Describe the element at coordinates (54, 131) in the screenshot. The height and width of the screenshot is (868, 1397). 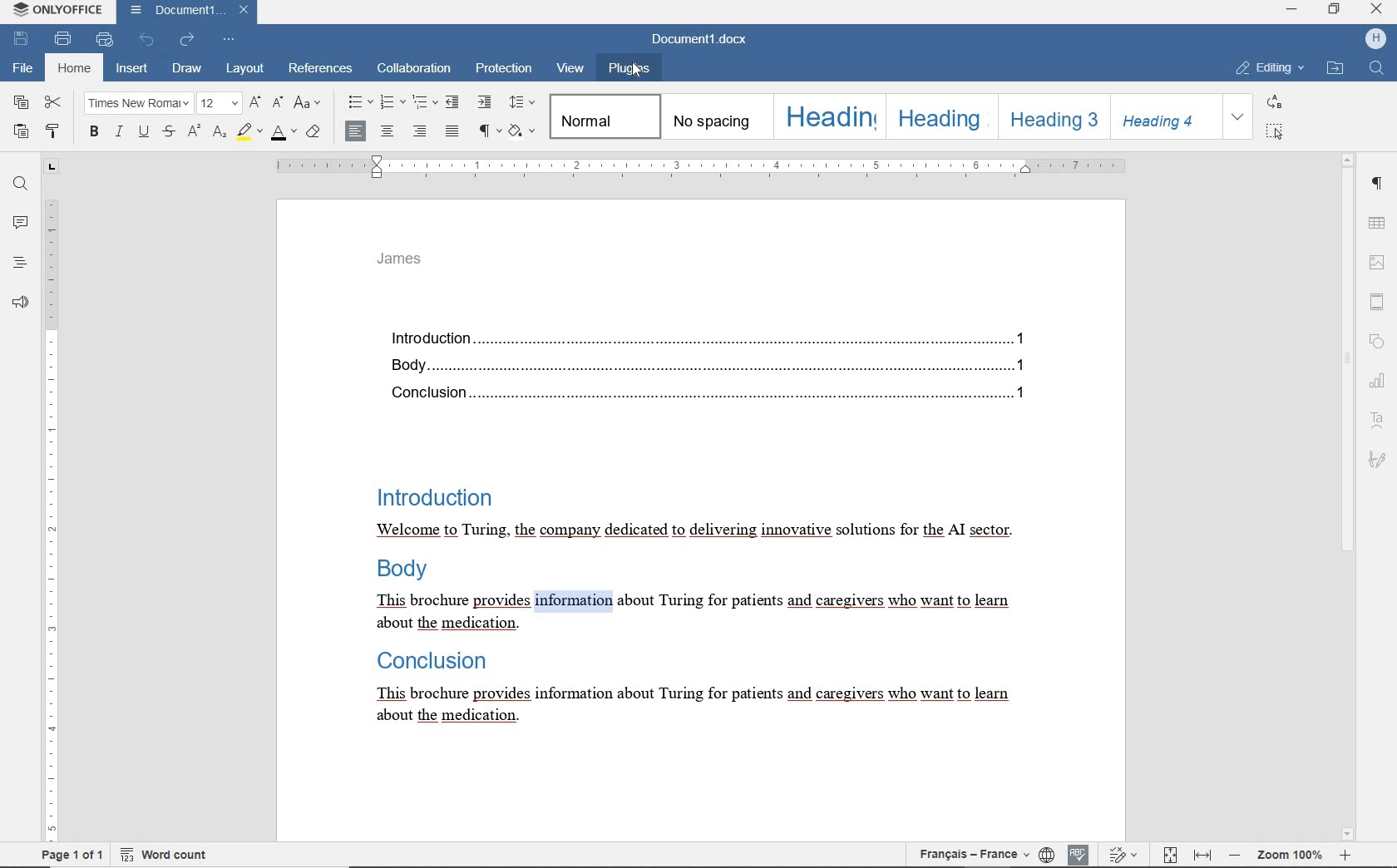
I see `COPY STYLE` at that location.